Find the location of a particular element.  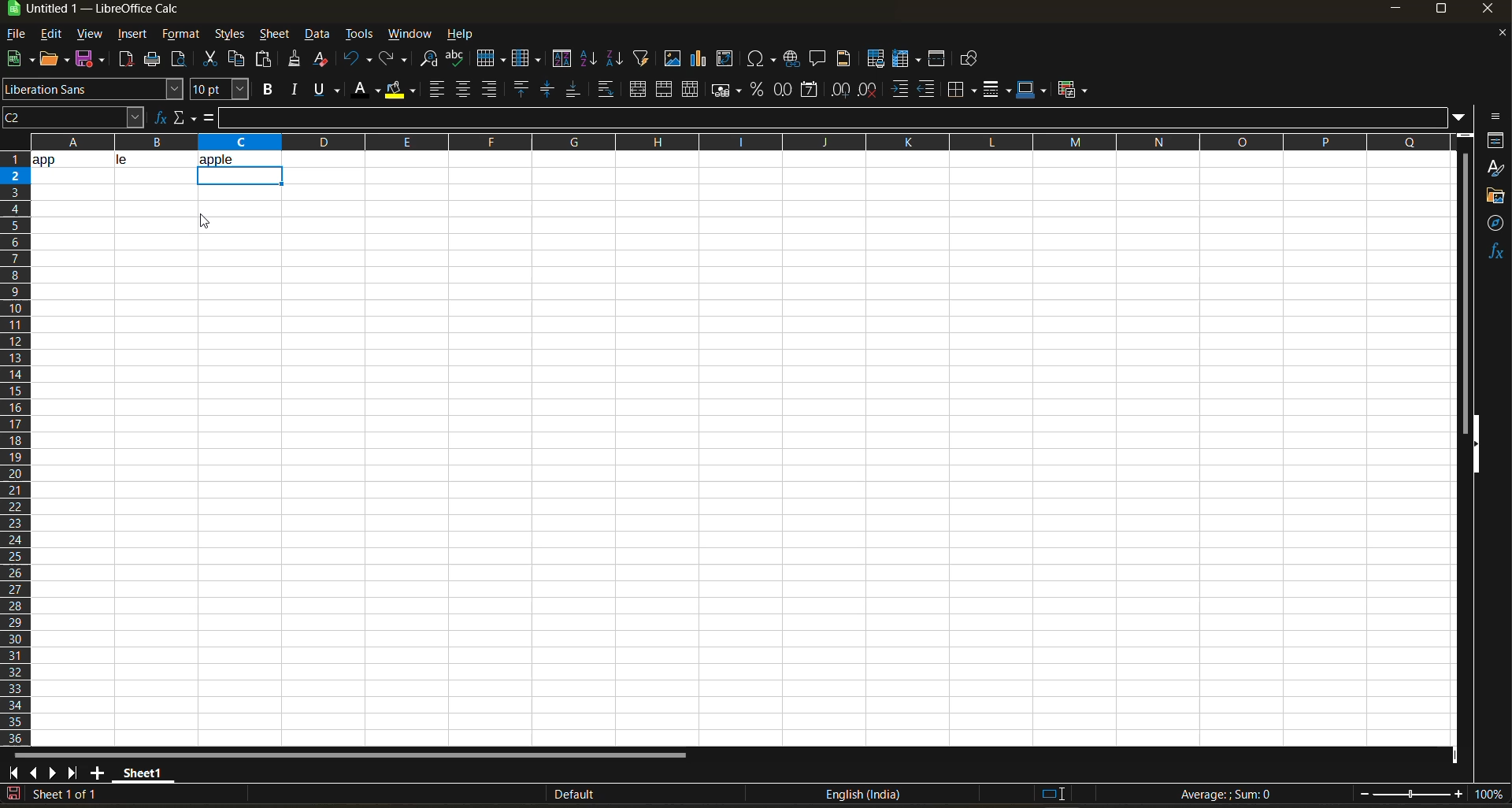

scroll to previous sheet is located at coordinates (34, 772).